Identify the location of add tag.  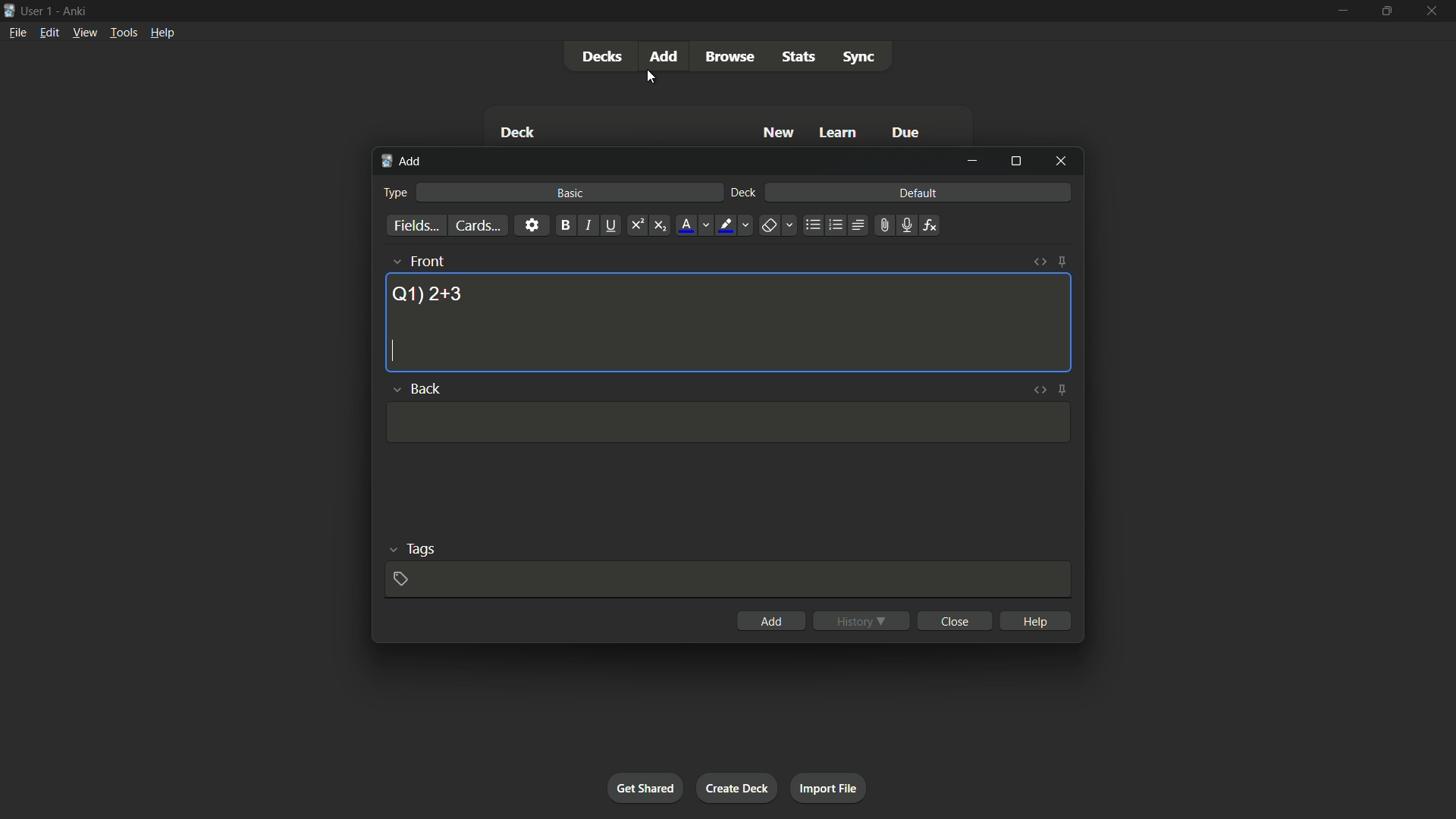
(400, 579).